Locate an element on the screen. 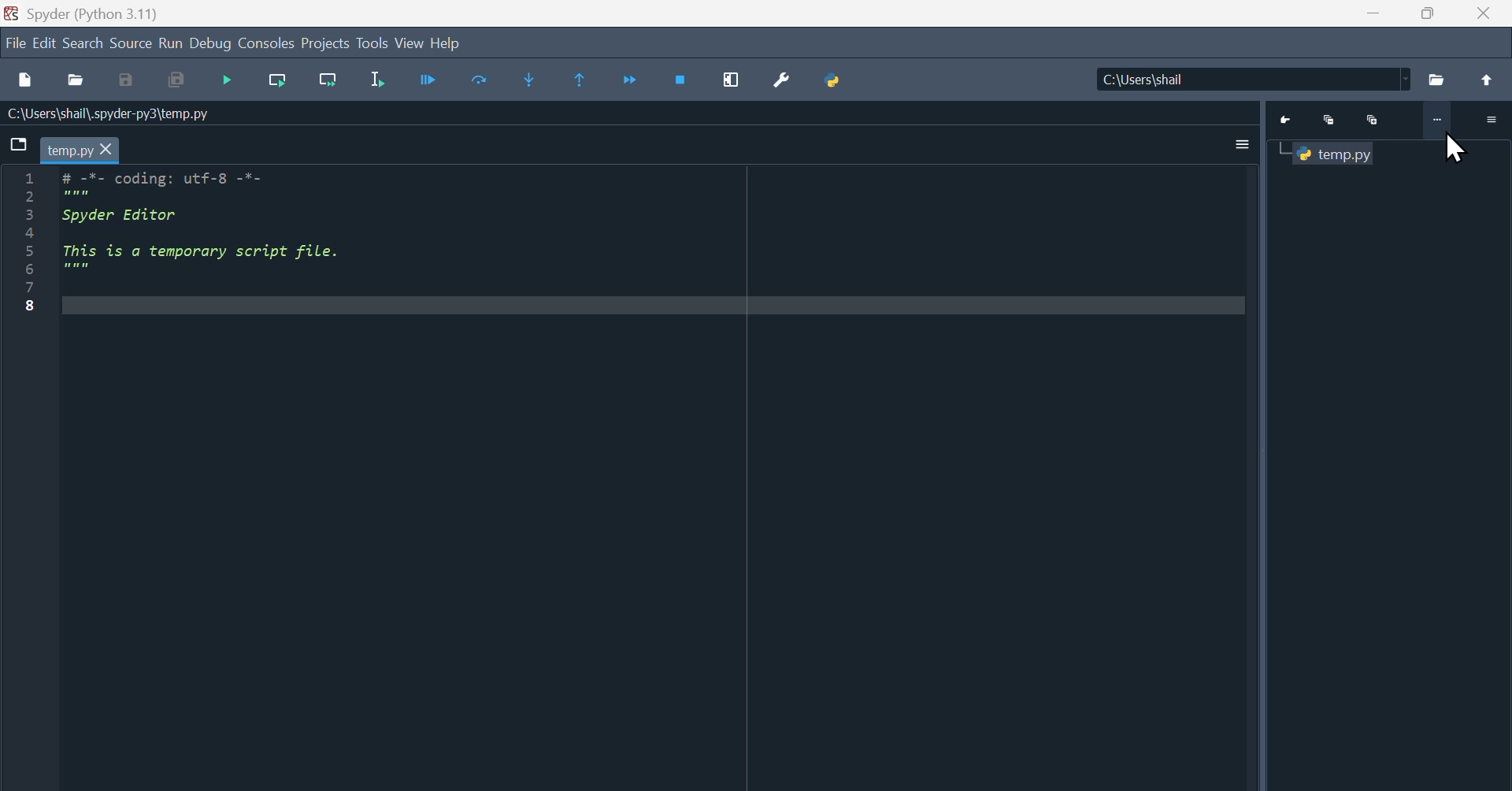  close is located at coordinates (1487, 13).